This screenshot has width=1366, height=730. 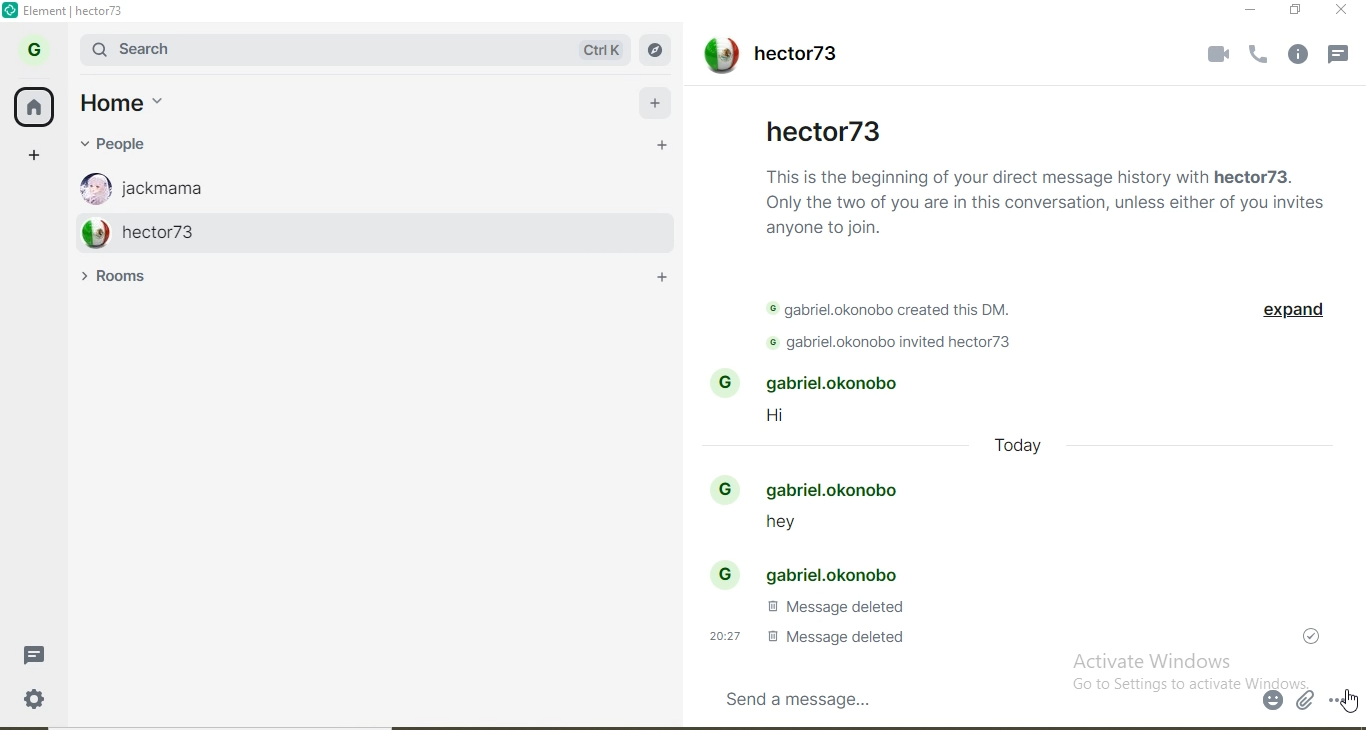 I want to click on rooms, so click(x=124, y=277).